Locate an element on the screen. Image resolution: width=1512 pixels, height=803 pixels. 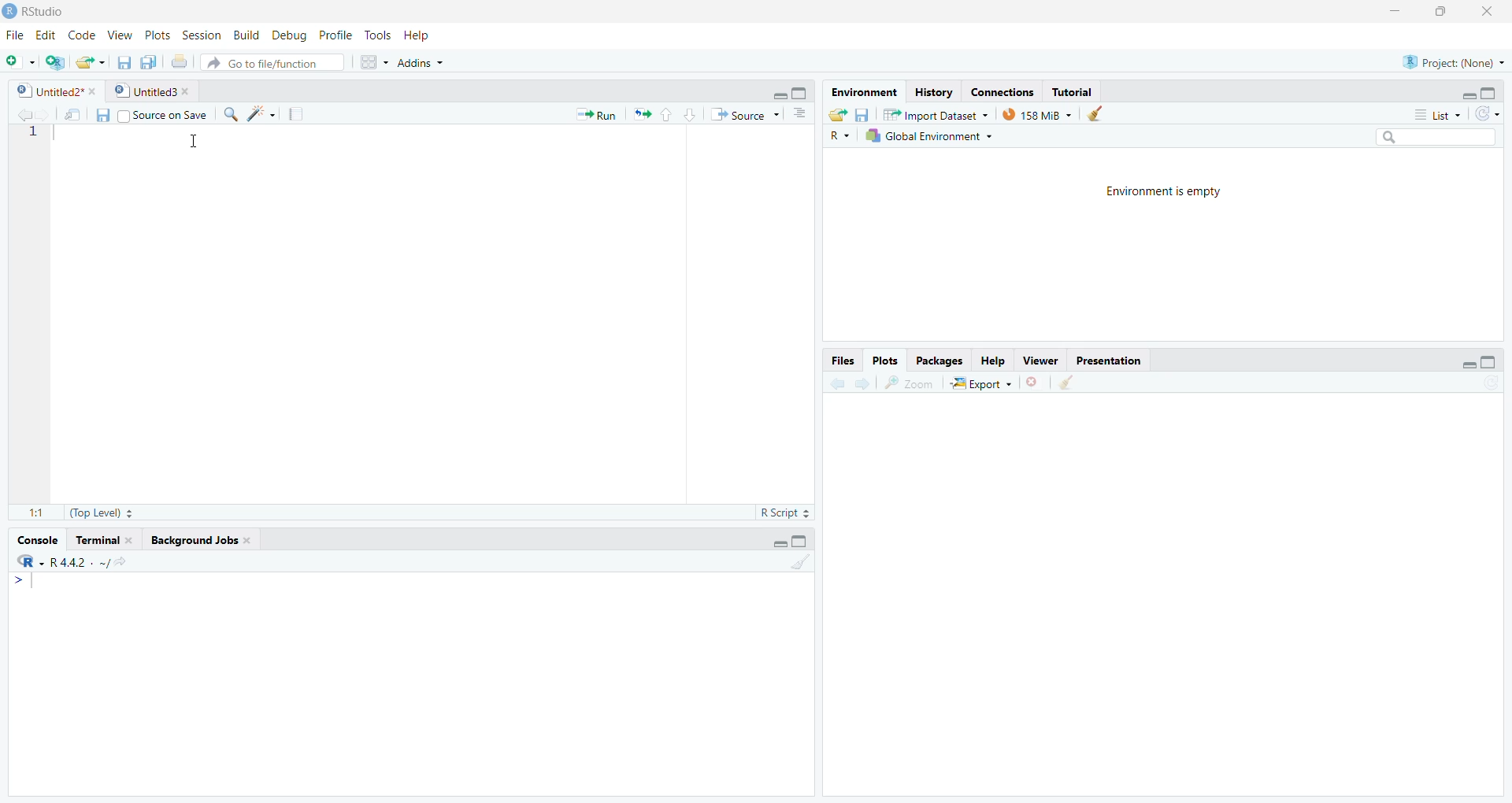
Profile is located at coordinates (333, 35).